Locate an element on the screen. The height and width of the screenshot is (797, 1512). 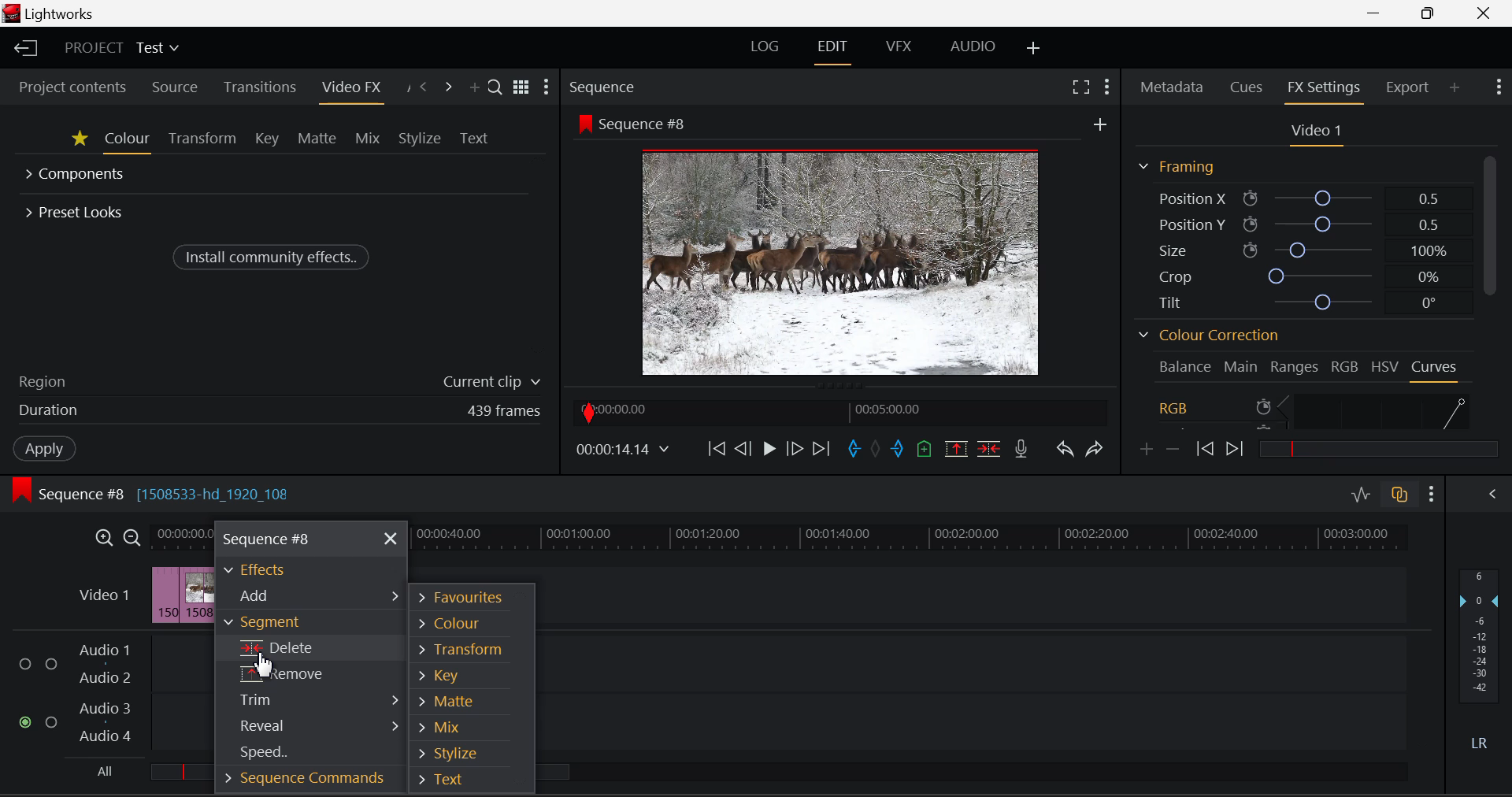
Delete/Cut is located at coordinates (989, 449).